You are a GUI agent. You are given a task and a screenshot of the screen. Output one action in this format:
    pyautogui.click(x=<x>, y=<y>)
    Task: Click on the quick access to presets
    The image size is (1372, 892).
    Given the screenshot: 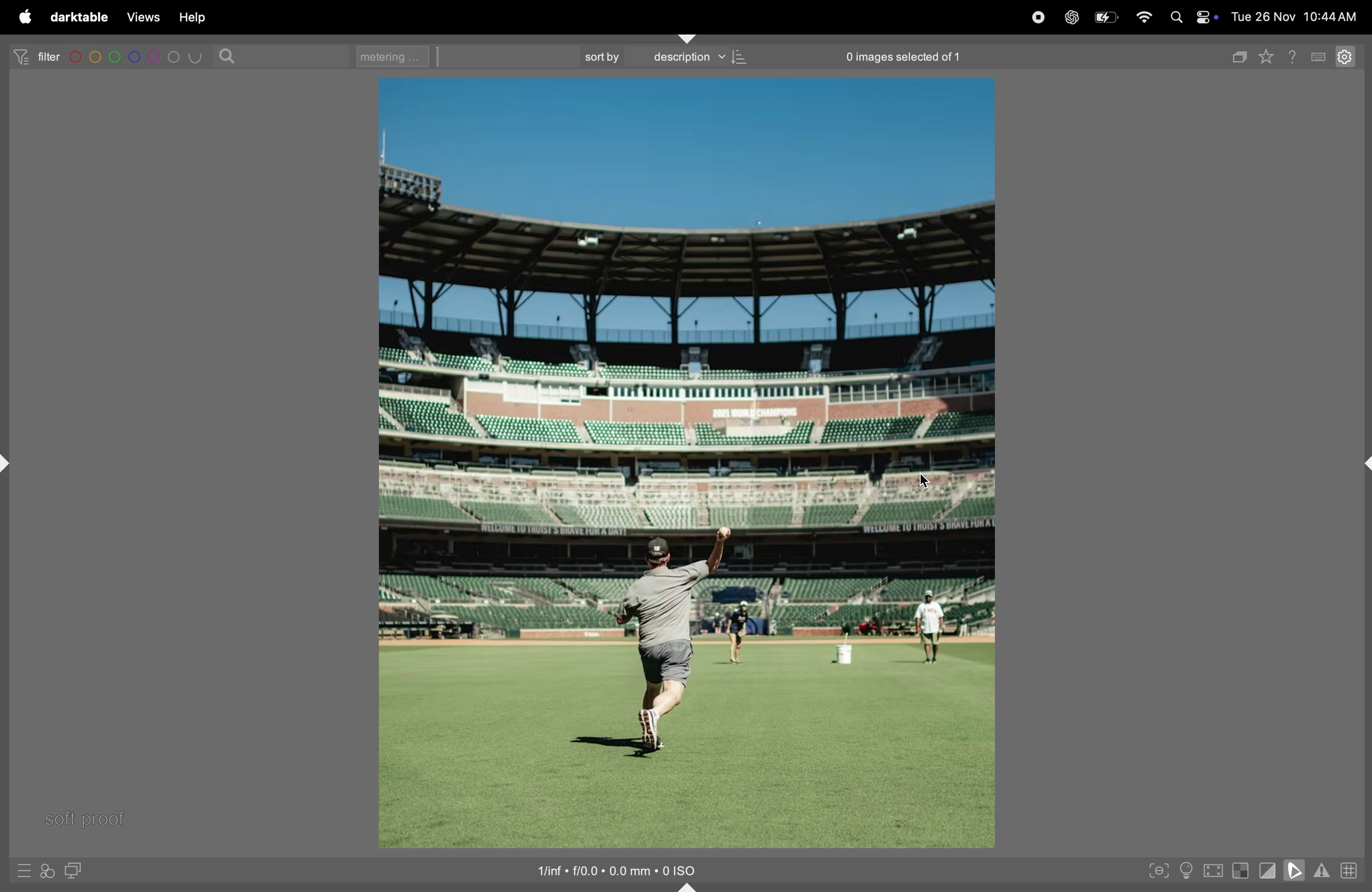 What is the action you would take?
    pyautogui.click(x=22, y=872)
    